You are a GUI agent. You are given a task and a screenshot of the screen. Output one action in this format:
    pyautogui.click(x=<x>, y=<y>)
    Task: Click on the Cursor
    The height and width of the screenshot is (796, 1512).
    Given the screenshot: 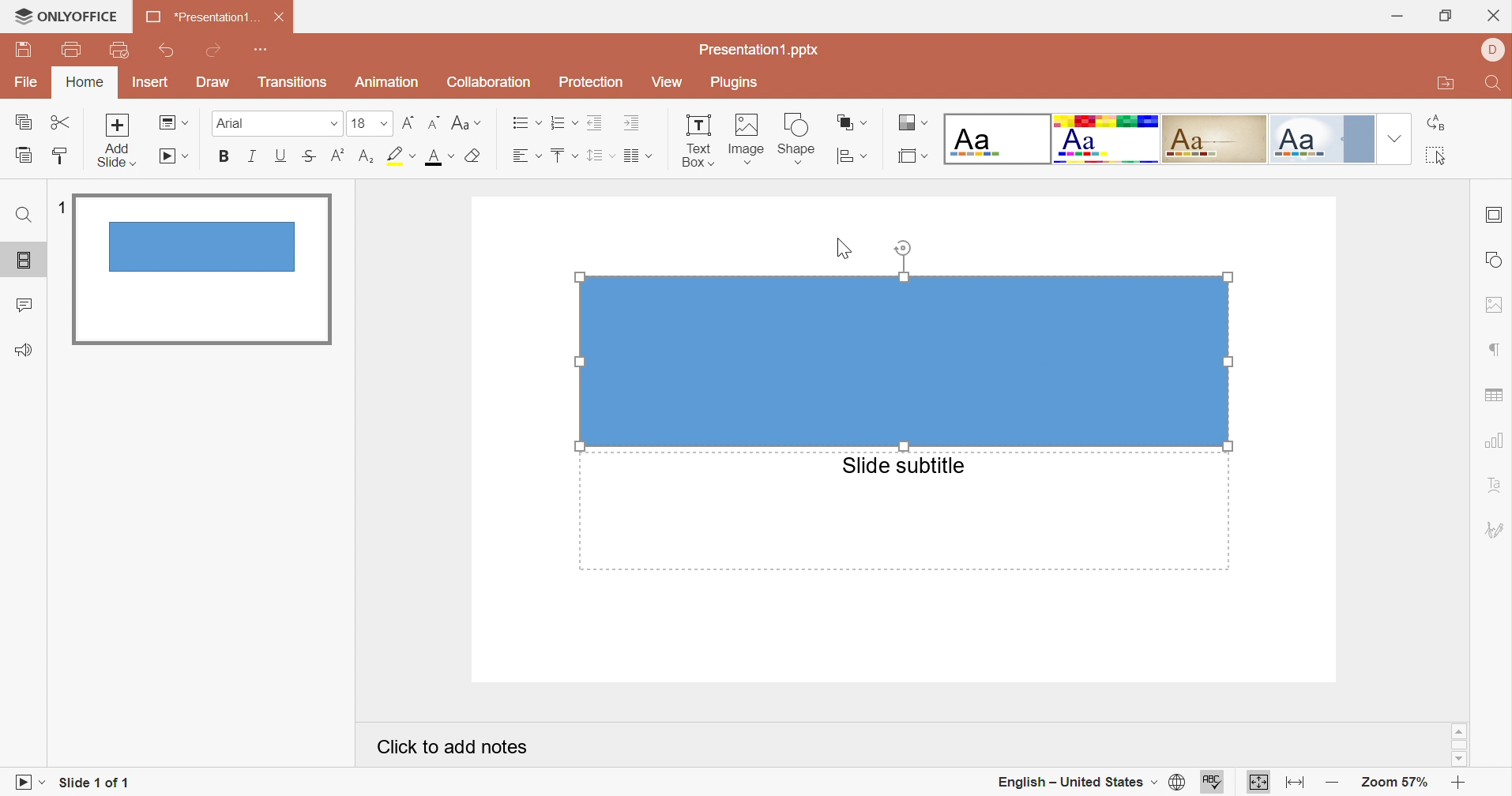 What is the action you would take?
    pyautogui.click(x=847, y=248)
    